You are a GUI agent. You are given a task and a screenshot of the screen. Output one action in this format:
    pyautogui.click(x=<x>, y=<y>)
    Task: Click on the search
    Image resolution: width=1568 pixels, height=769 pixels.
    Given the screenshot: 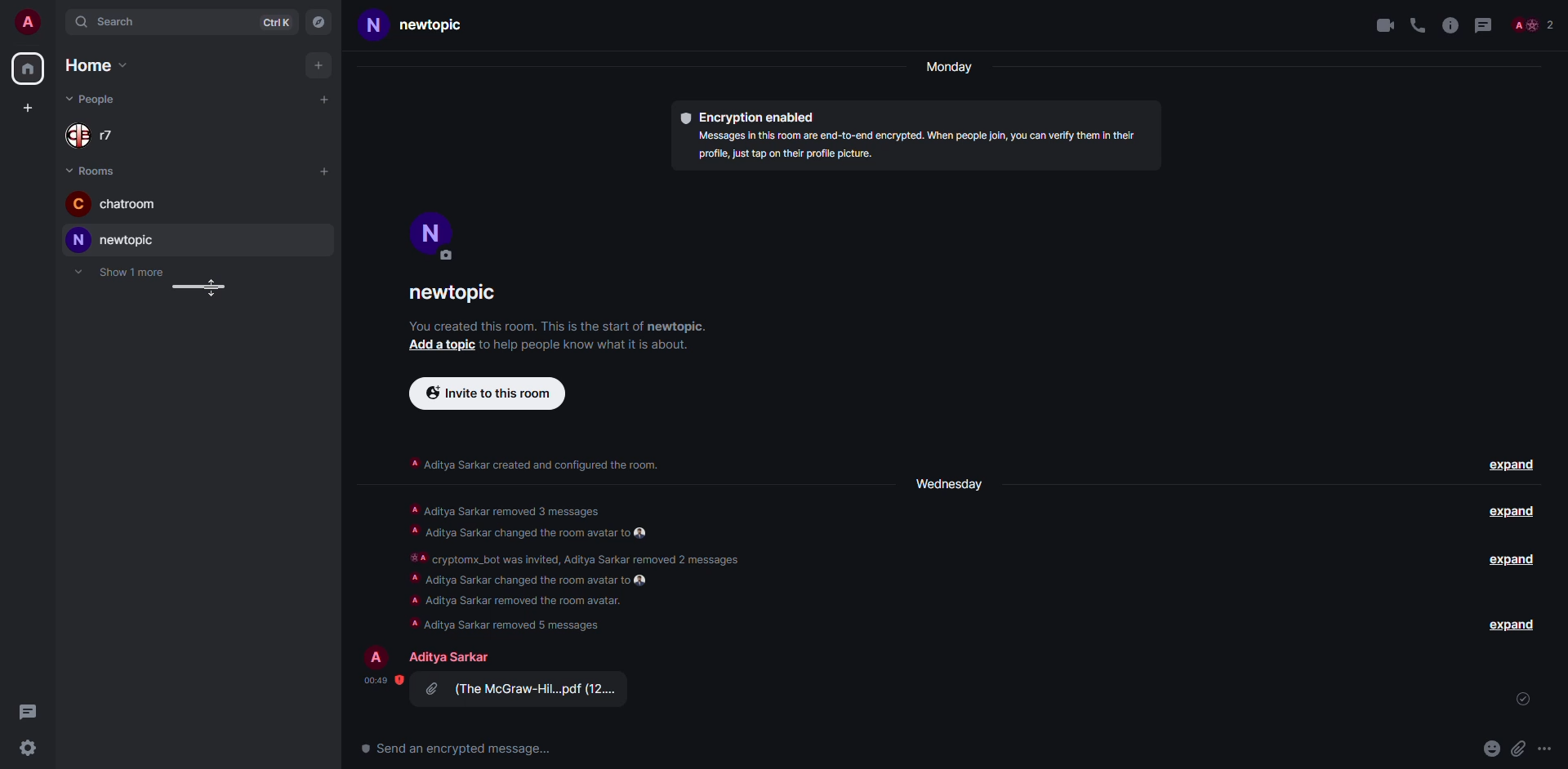 What is the action you would take?
    pyautogui.click(x=109, y=22)
    